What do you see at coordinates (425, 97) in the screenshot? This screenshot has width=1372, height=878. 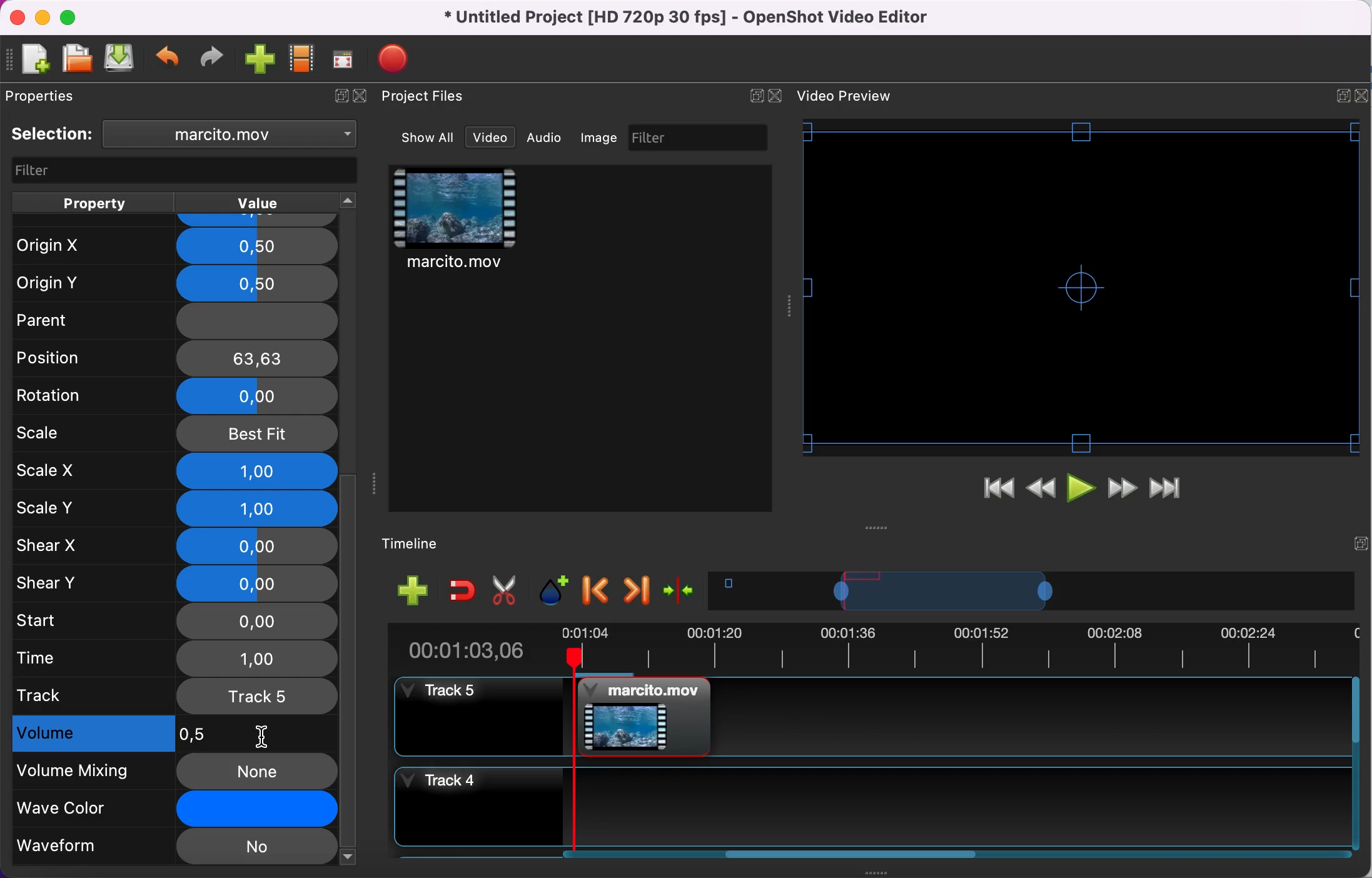 I see `project files` at bounding box center [425, 97].